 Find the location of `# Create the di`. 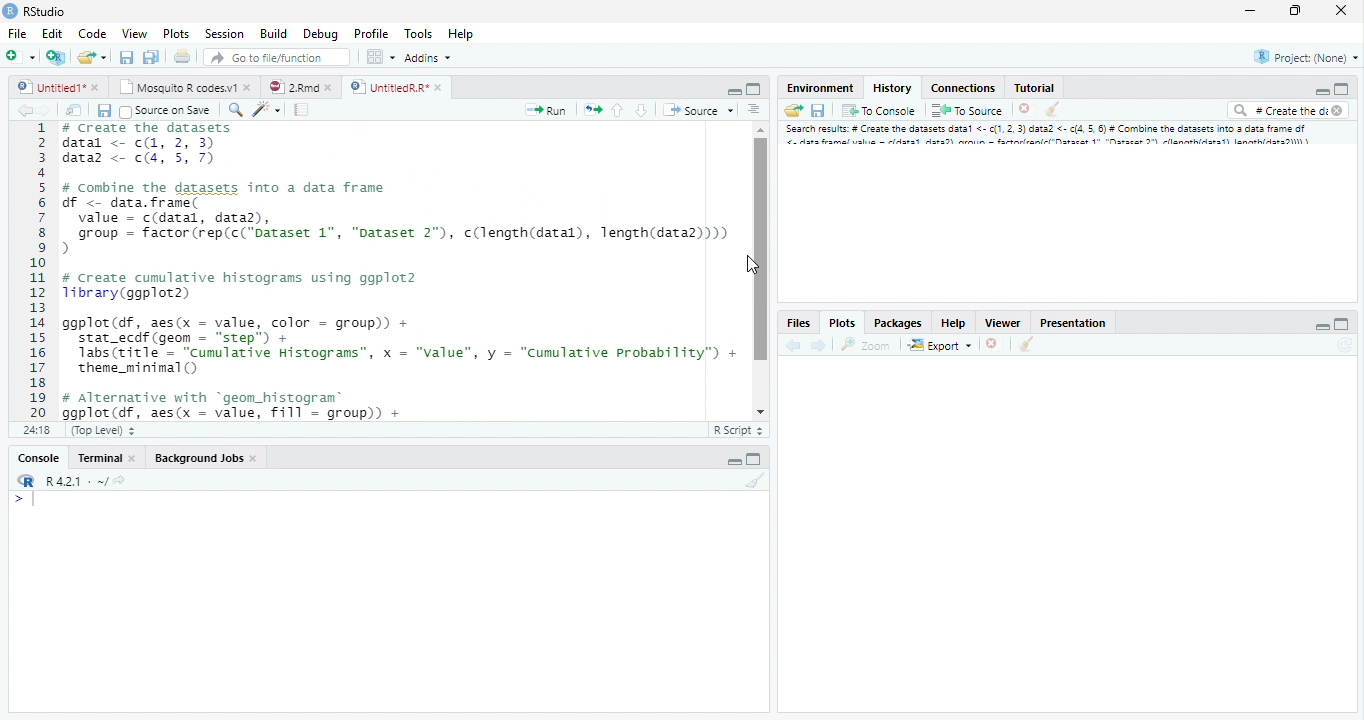

# Create the di is located at coordinates (1286, 112).